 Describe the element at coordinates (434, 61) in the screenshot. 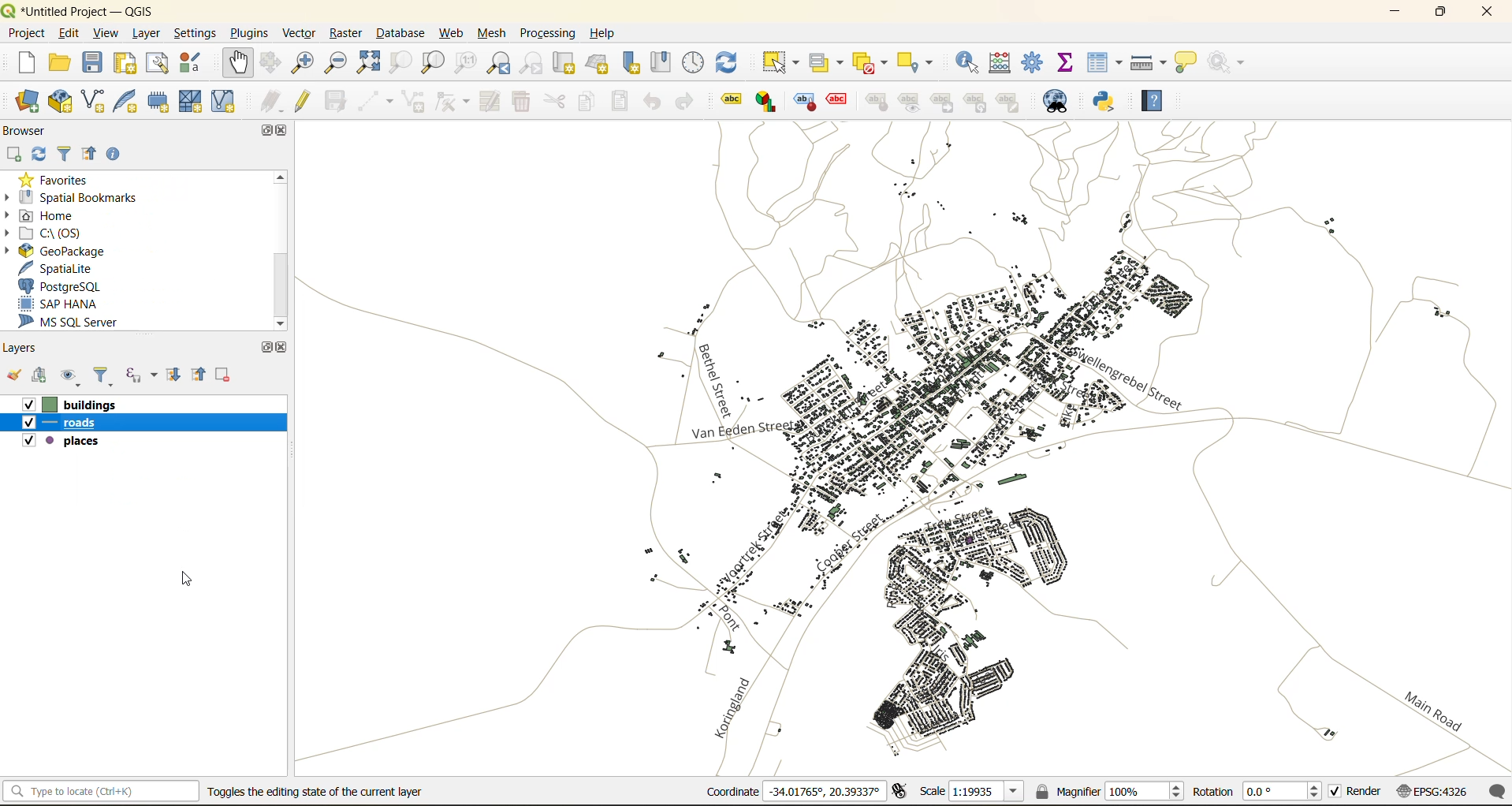

I see `zoom layer` at that location.